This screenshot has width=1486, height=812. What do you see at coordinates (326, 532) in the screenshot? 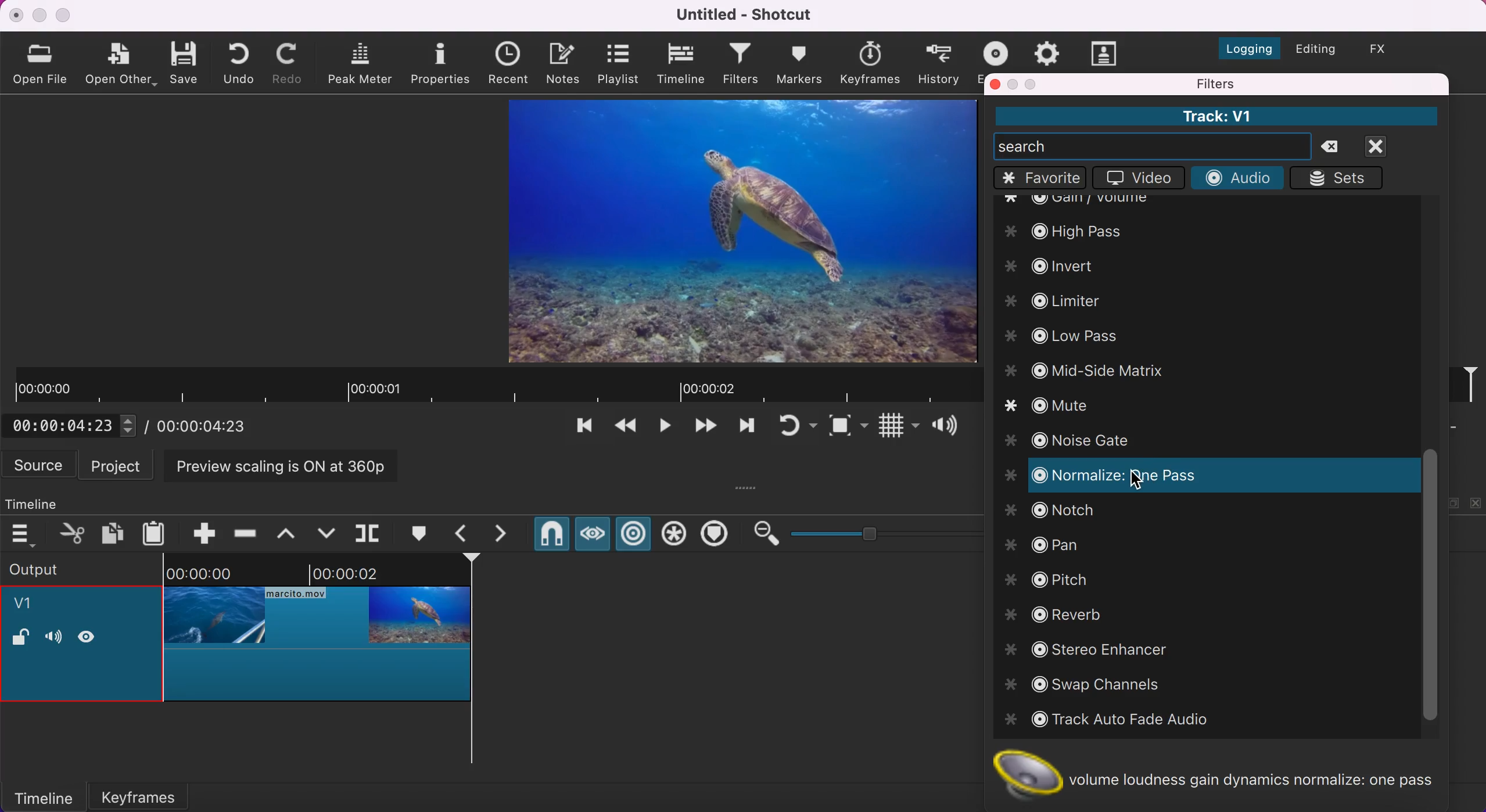
I see `overwrite` at bounding box center [326, 532].